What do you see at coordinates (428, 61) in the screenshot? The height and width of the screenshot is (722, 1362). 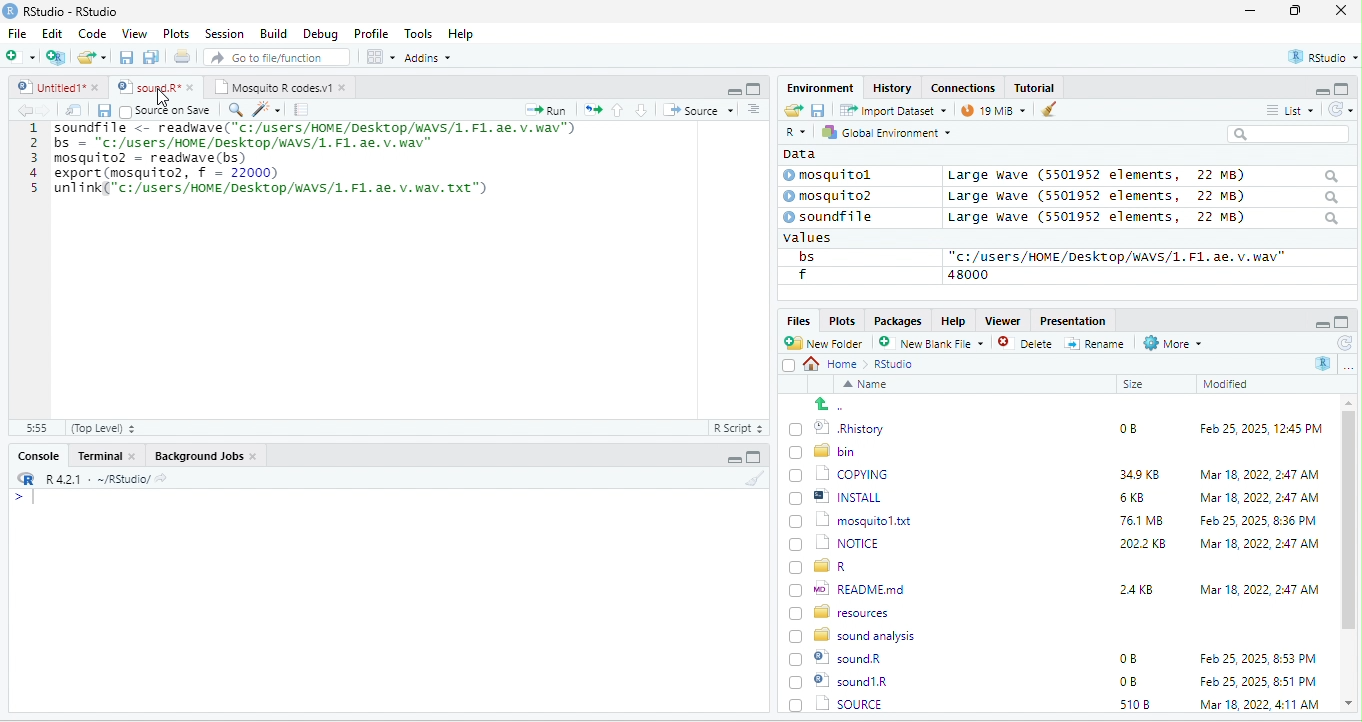 I see `Adonns ` at bounding box center [428, 61].